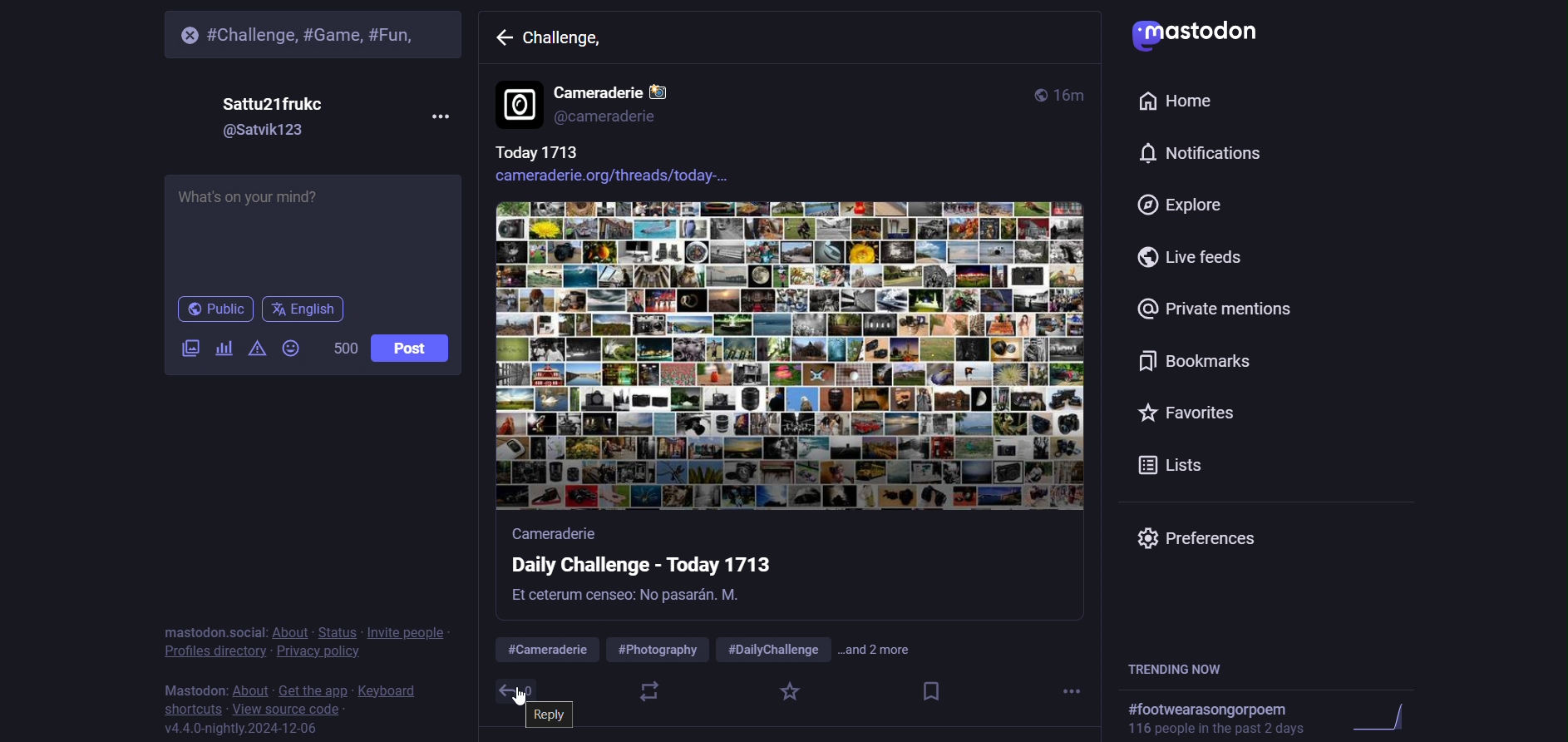 This screenshot has height=742, width=1568. Describe the element at coordinates (1183, 204) in the screenshot. I see `explore` at that location.